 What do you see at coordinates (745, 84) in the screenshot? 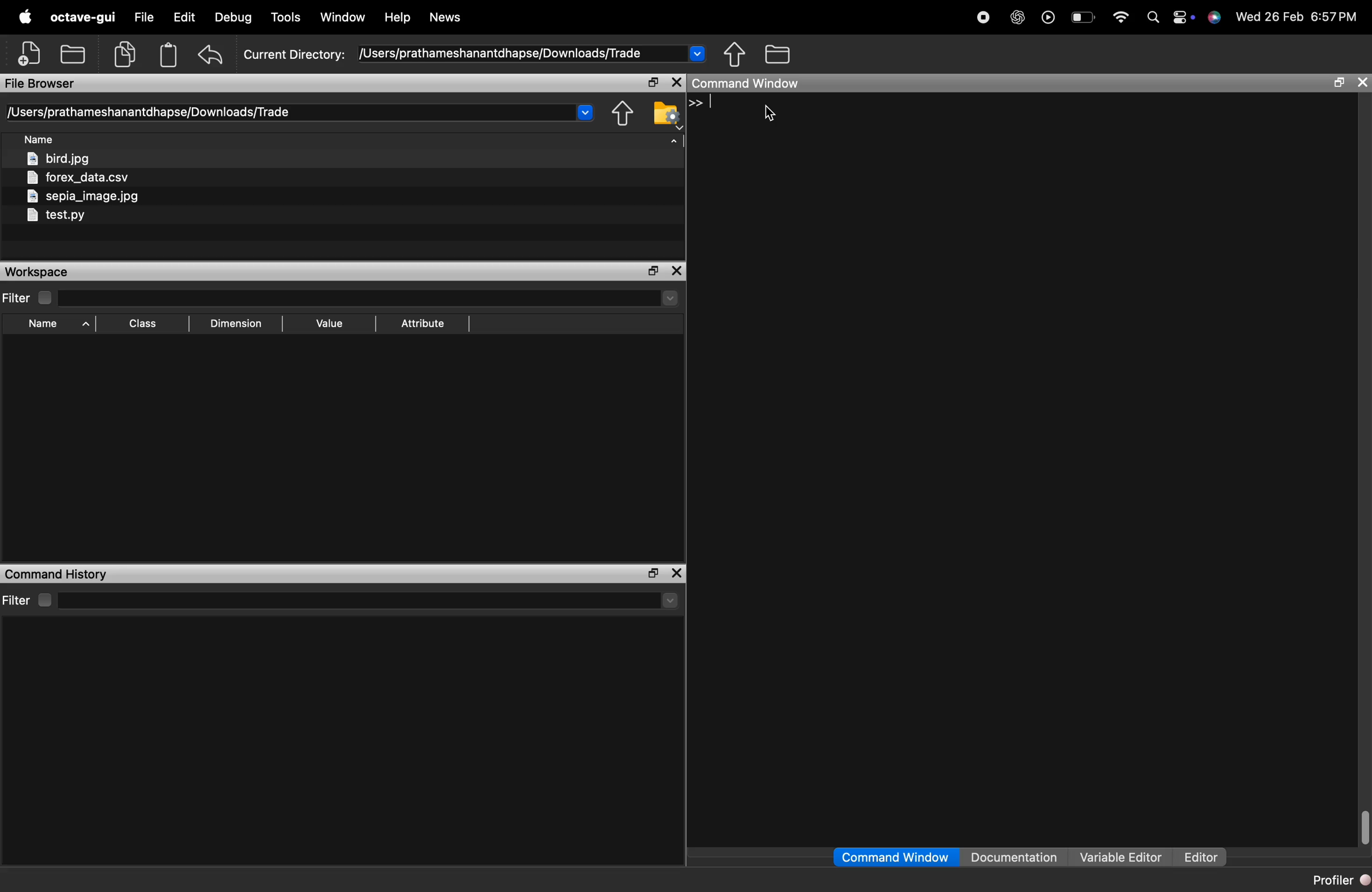
I see `command window` at bounding box center [745, 84].